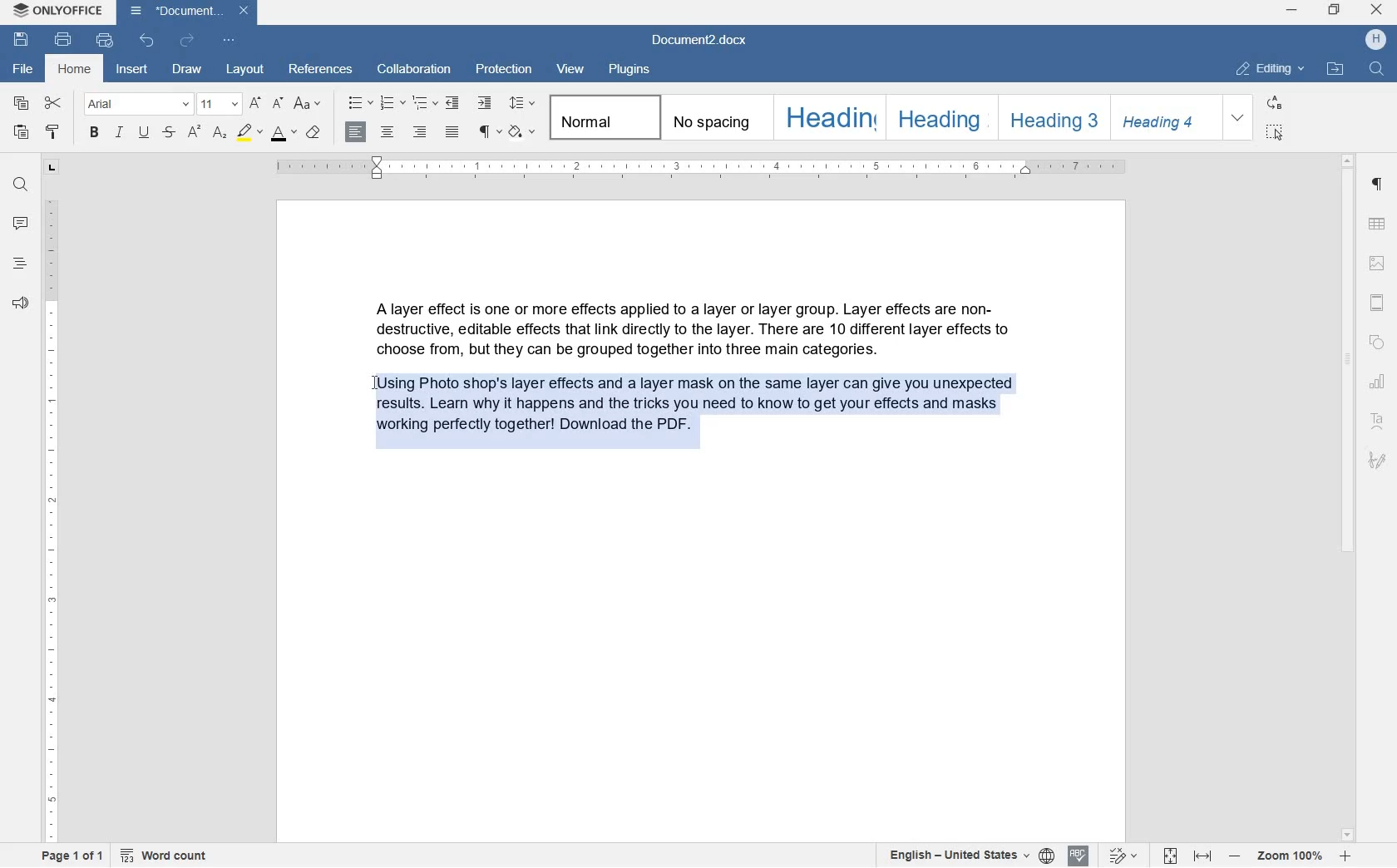 This screenshot has height=868, width=1397. What do you see at coordinates (21, 104) in the screenshot?
I see `COPY` at bounding box center [21, 104].